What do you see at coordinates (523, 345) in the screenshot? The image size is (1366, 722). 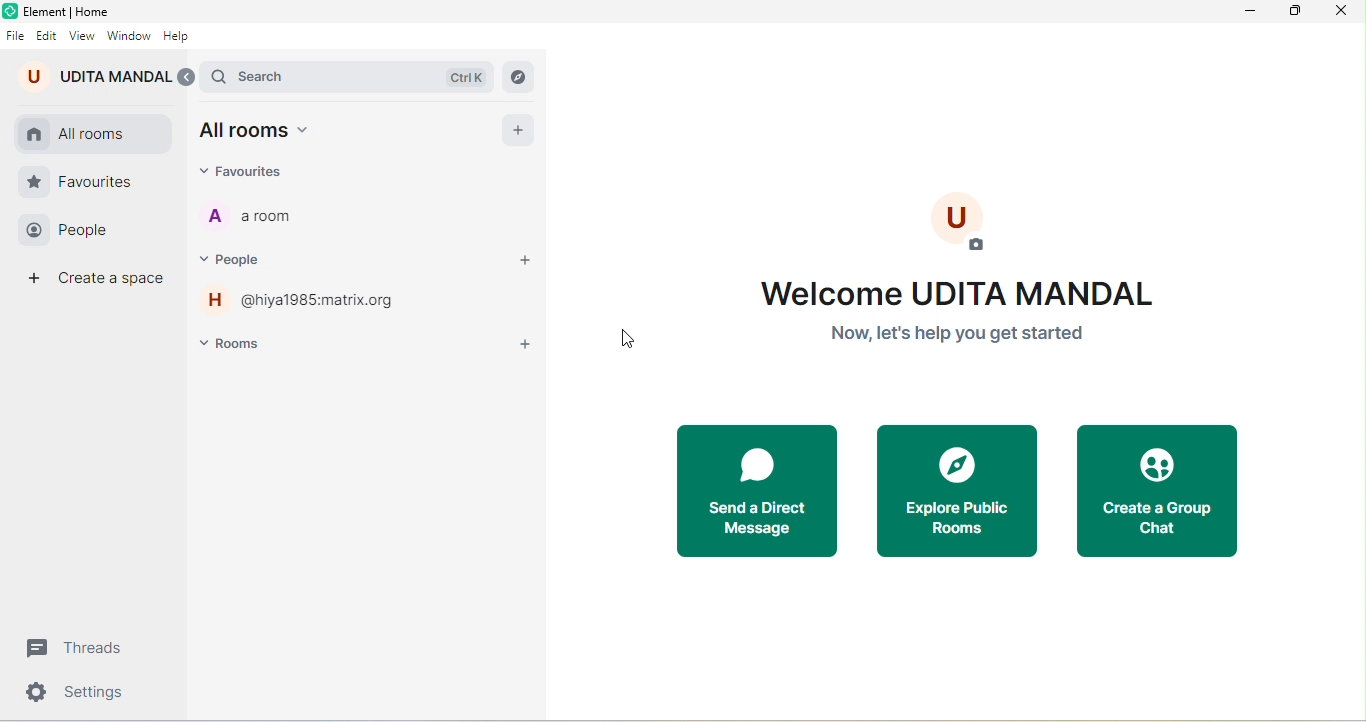 I see `add room` at bounding box center [523, 345].